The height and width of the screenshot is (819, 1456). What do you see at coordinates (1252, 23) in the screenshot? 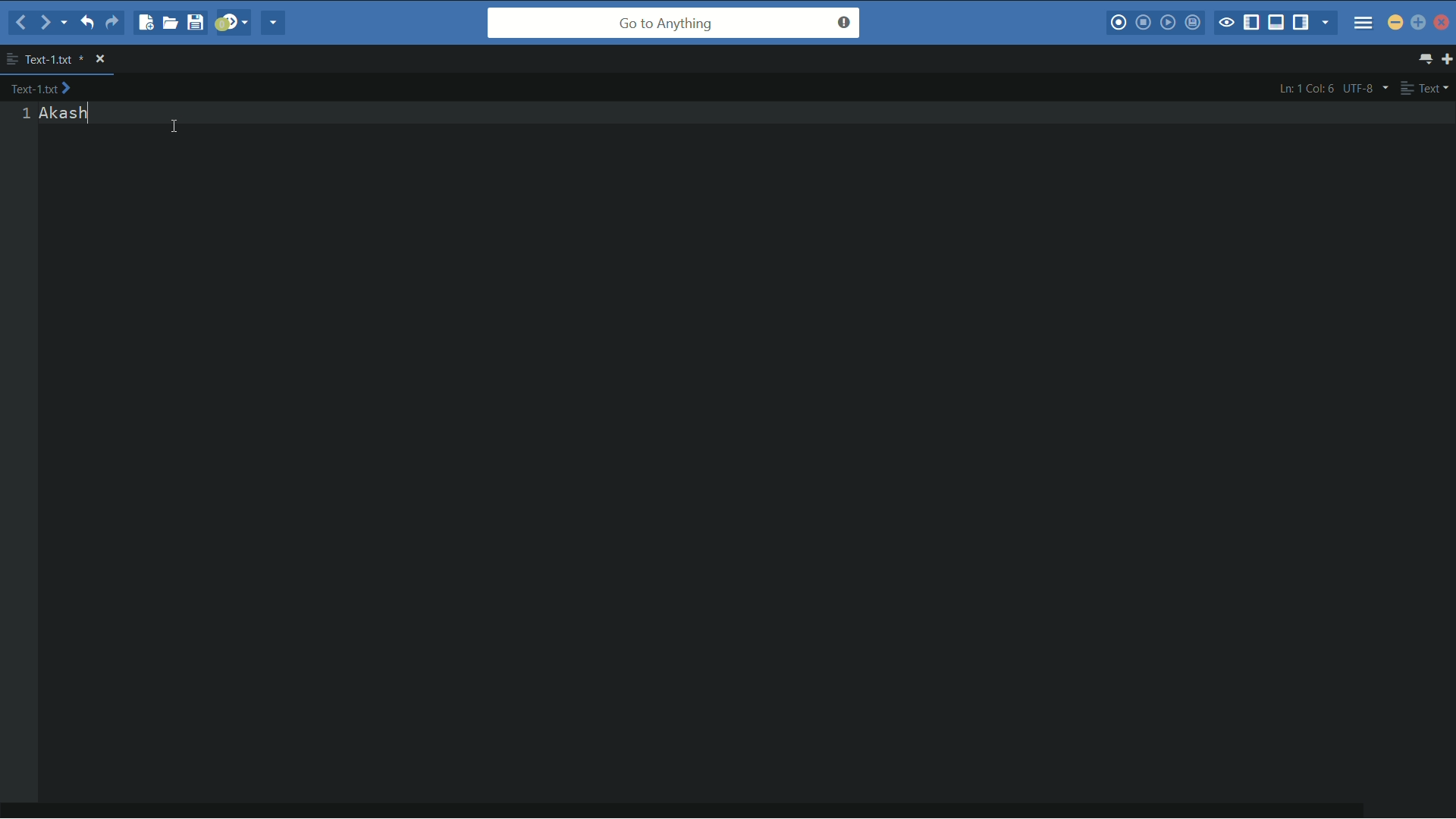
I see `show/hide left panel` at bounding box center [1252, 23].